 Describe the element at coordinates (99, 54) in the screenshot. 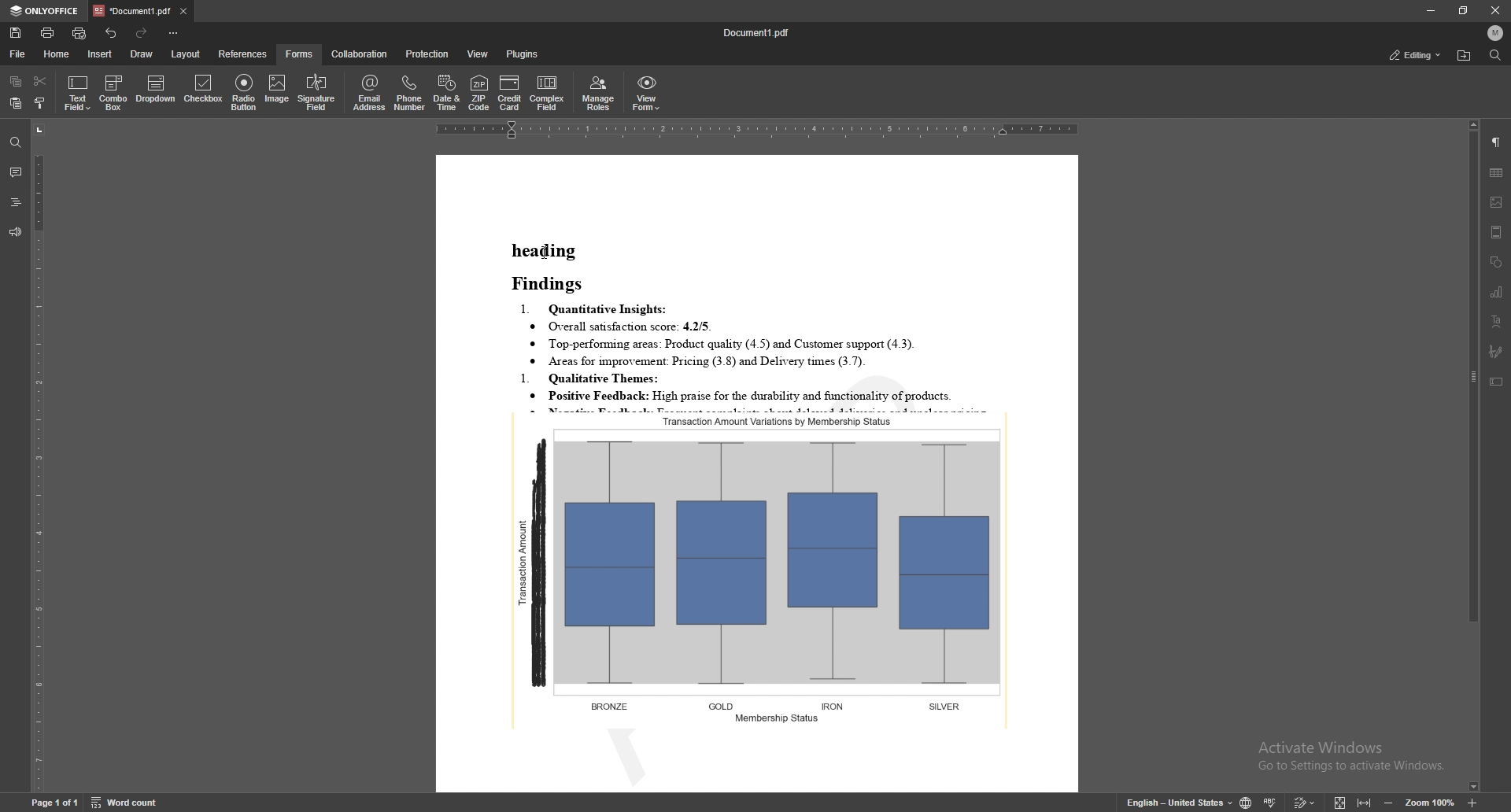

I see `insert` at that location.